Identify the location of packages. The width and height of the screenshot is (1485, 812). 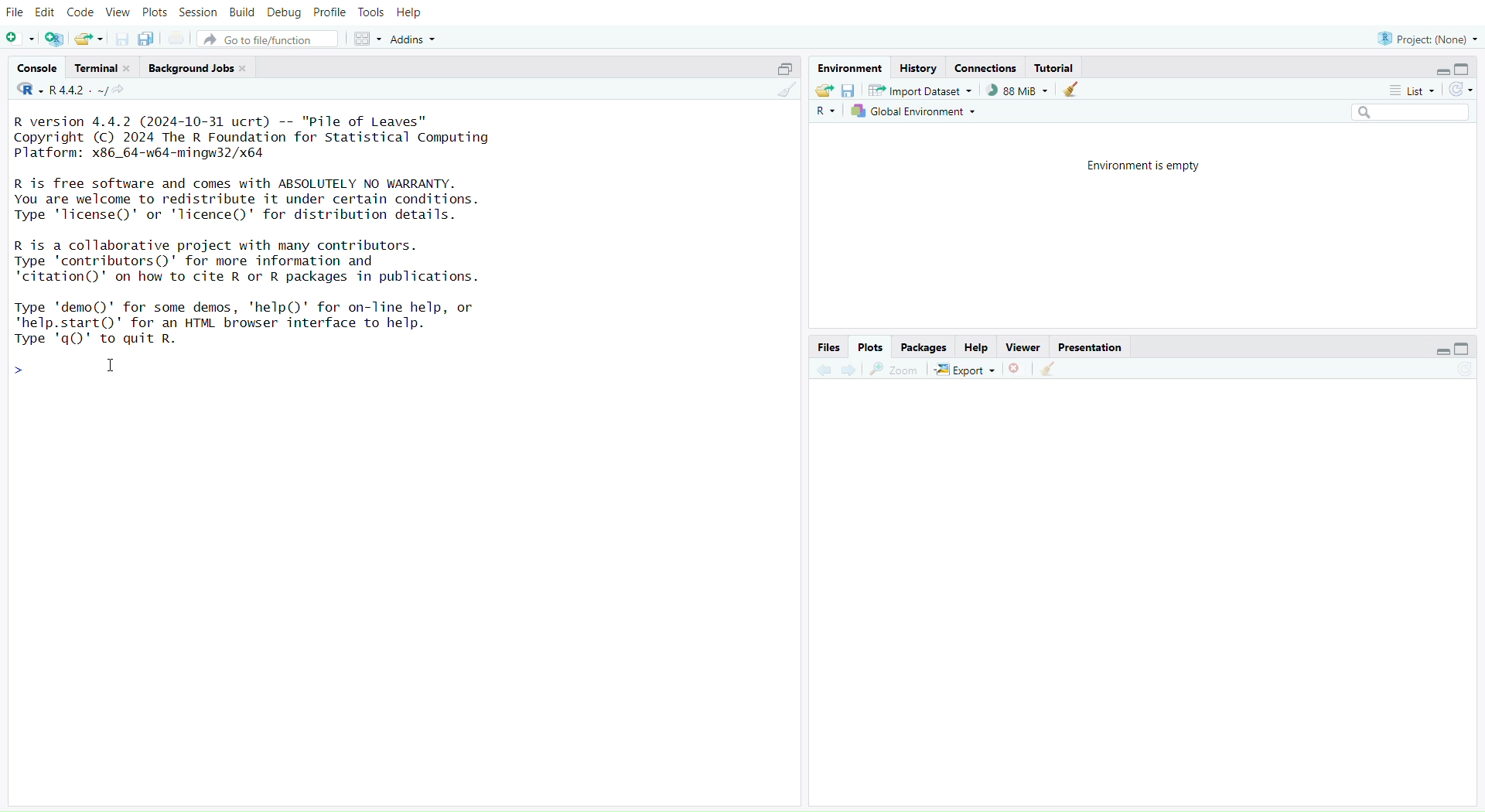
(925, 346).